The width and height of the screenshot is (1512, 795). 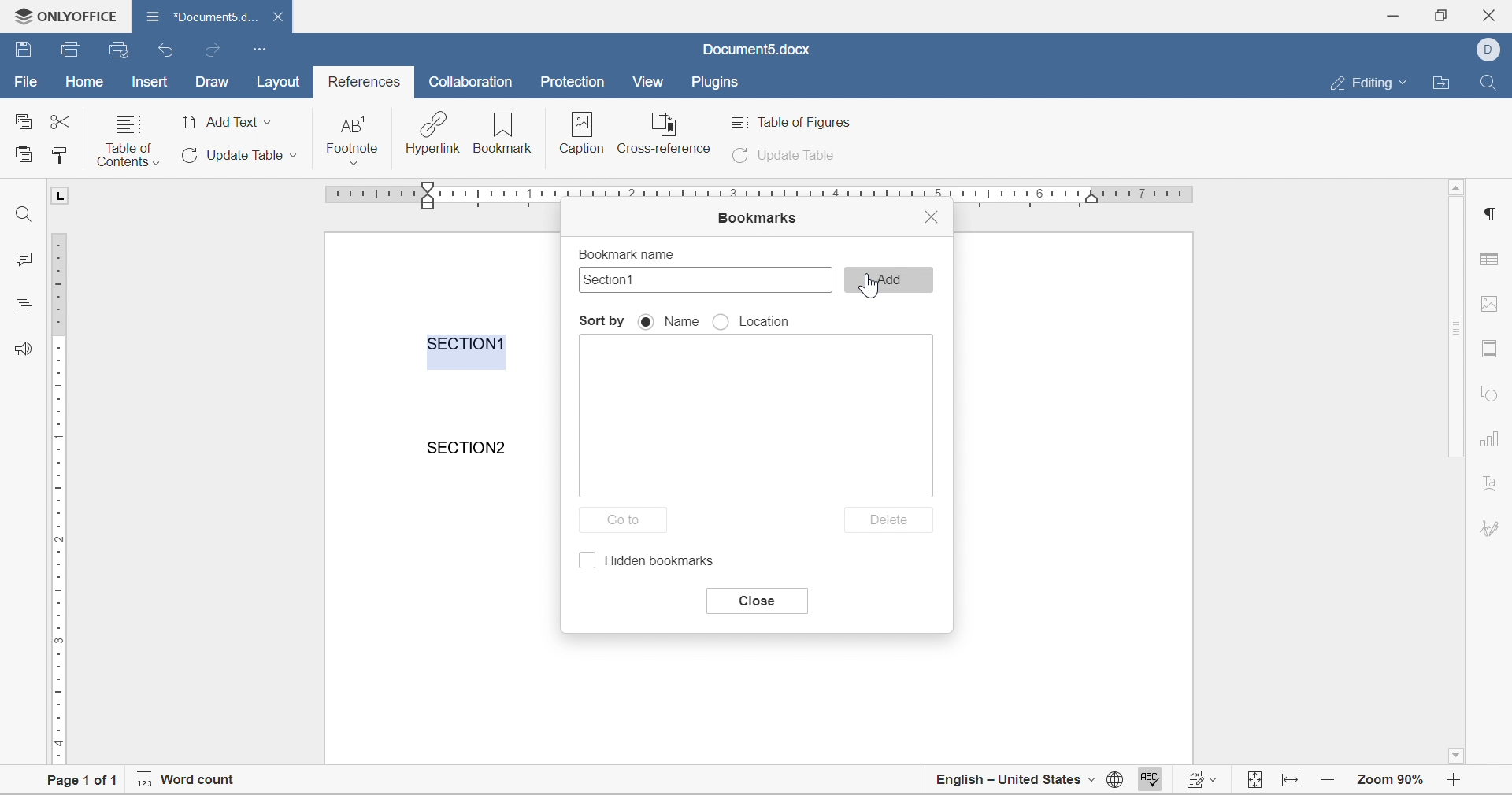 I want to click on name, so click(x=681, y=321).